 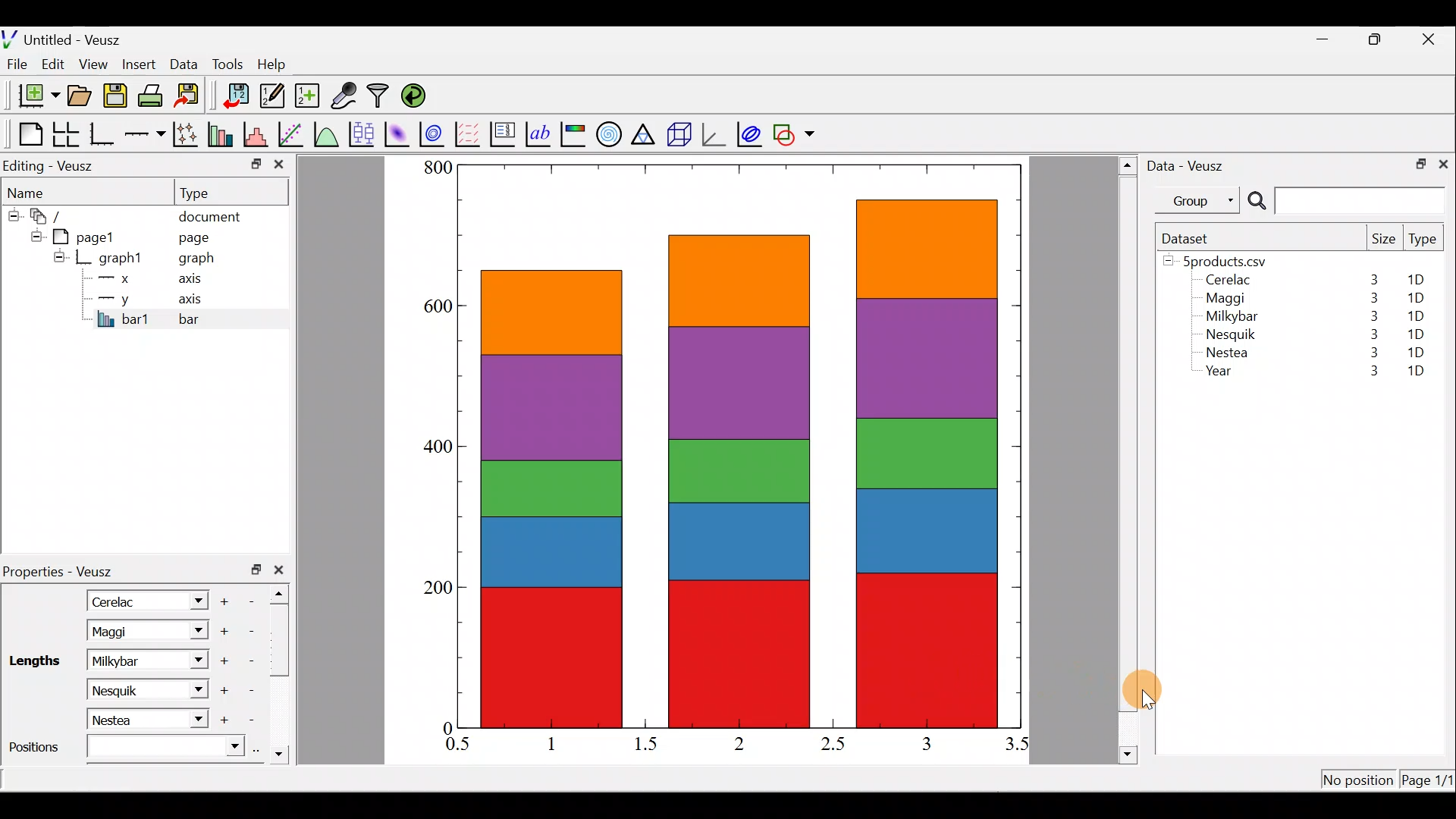 What do you see at coordinates (1421, 280) in the screenshot?
I see `1D` at bounding box center [1421, 280].